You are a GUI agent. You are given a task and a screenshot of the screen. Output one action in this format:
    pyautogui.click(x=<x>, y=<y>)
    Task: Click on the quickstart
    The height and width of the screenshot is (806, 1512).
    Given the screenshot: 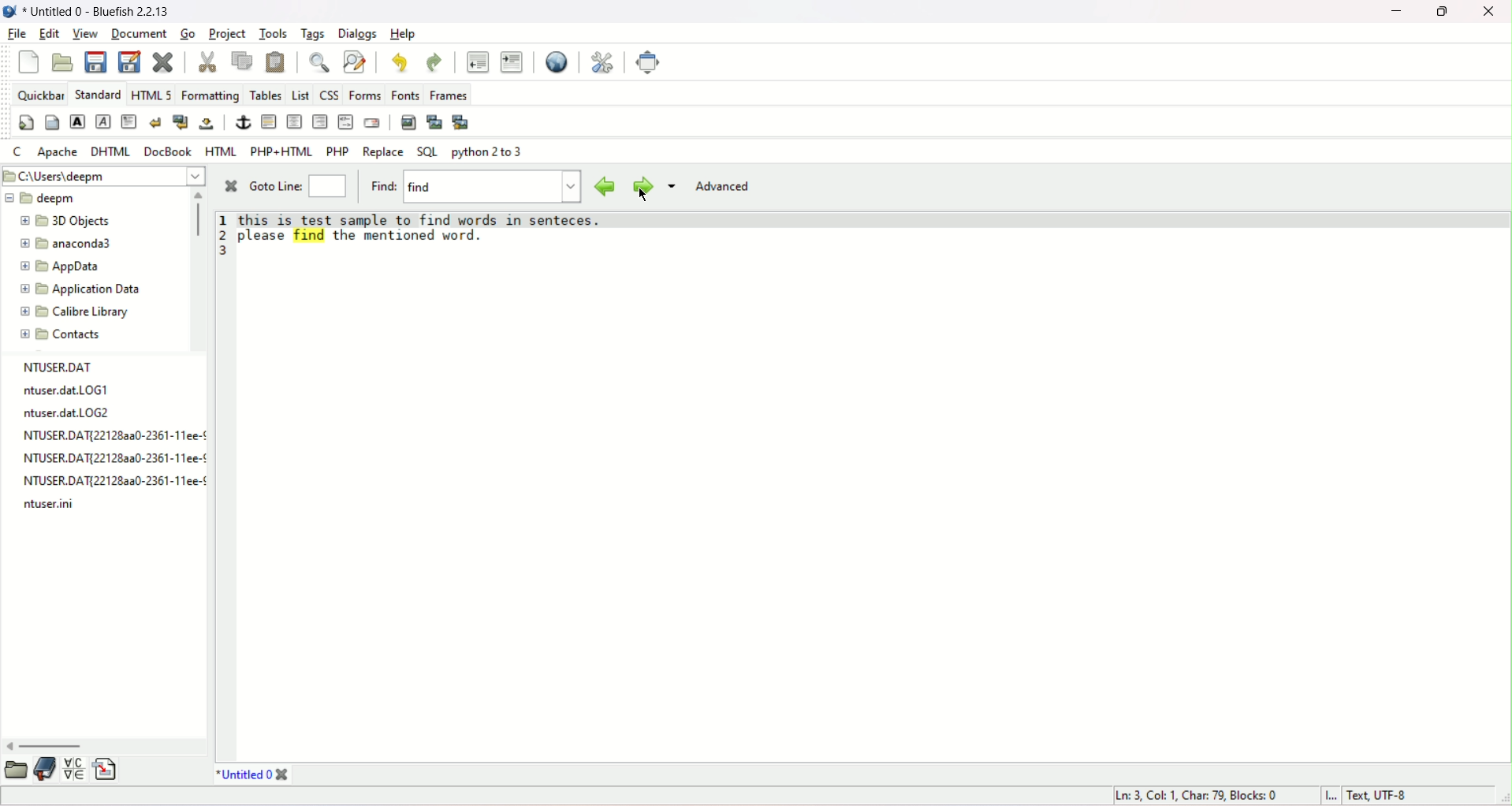 What is the action you would take?
    pyautogui.click(x=25, y=122)
    